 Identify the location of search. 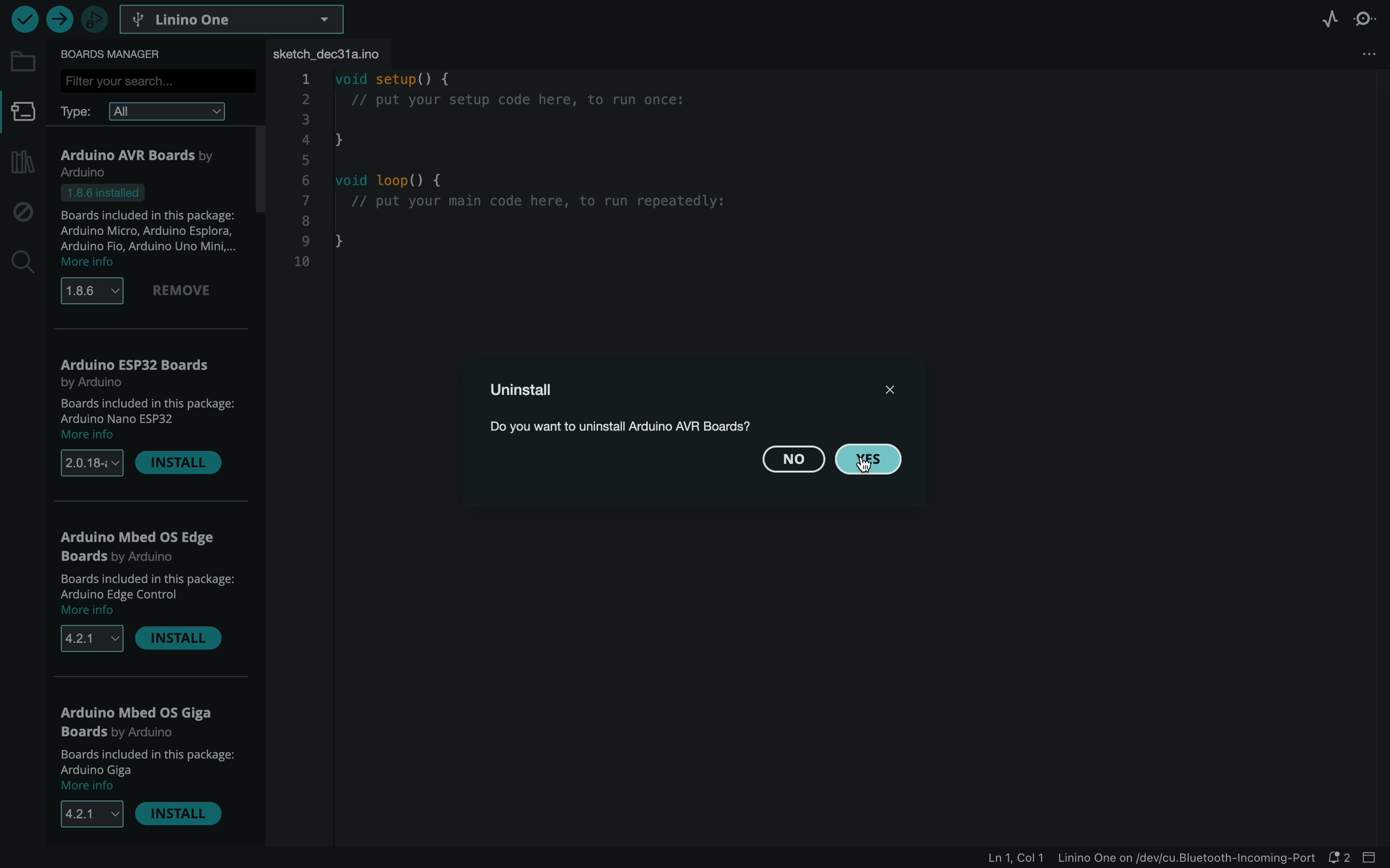
(21, 261).